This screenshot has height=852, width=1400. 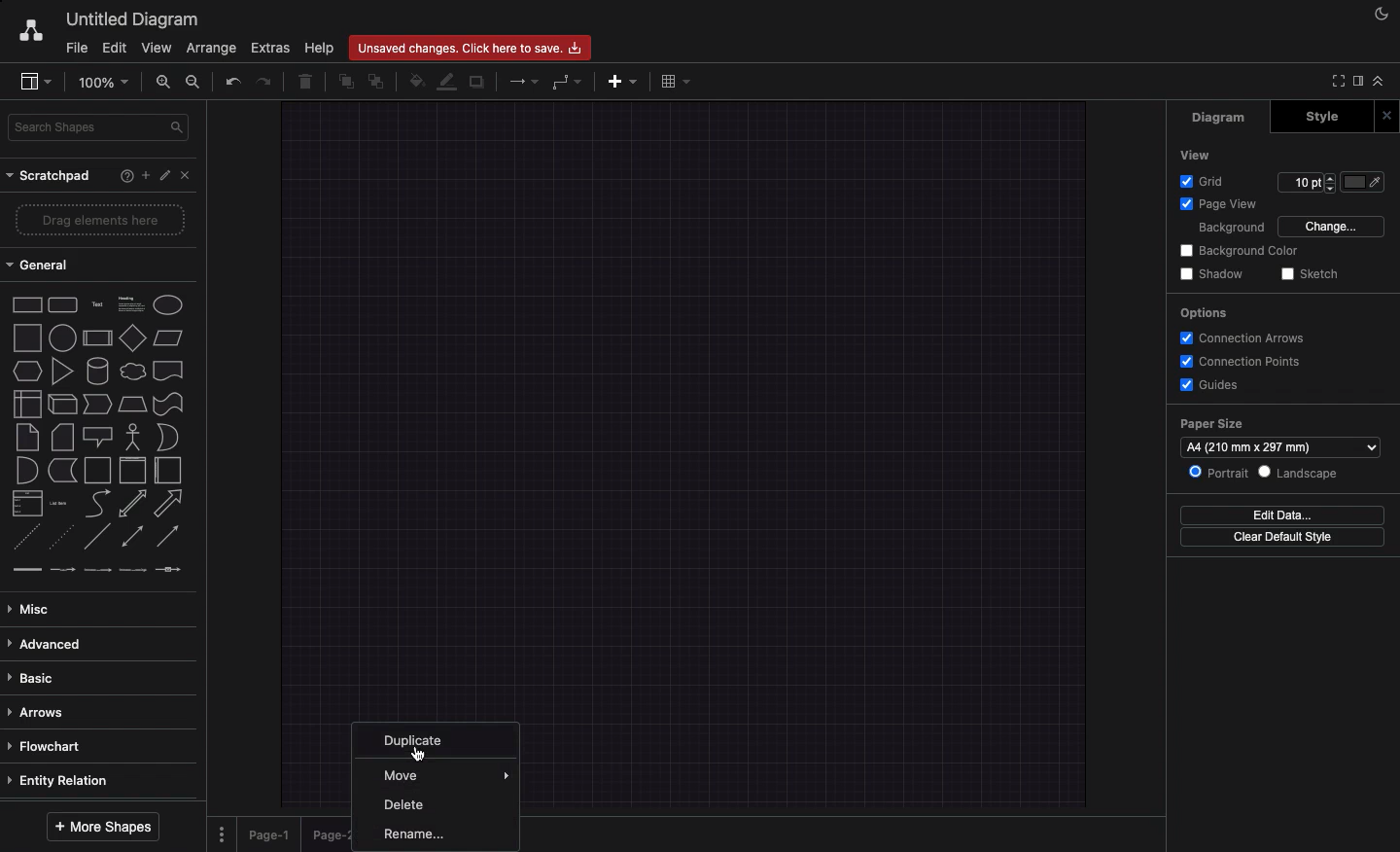 What do you see at coordinates (103, 130) in the screenshot?
I see `Search shapes` at bounding box center [103, 130].